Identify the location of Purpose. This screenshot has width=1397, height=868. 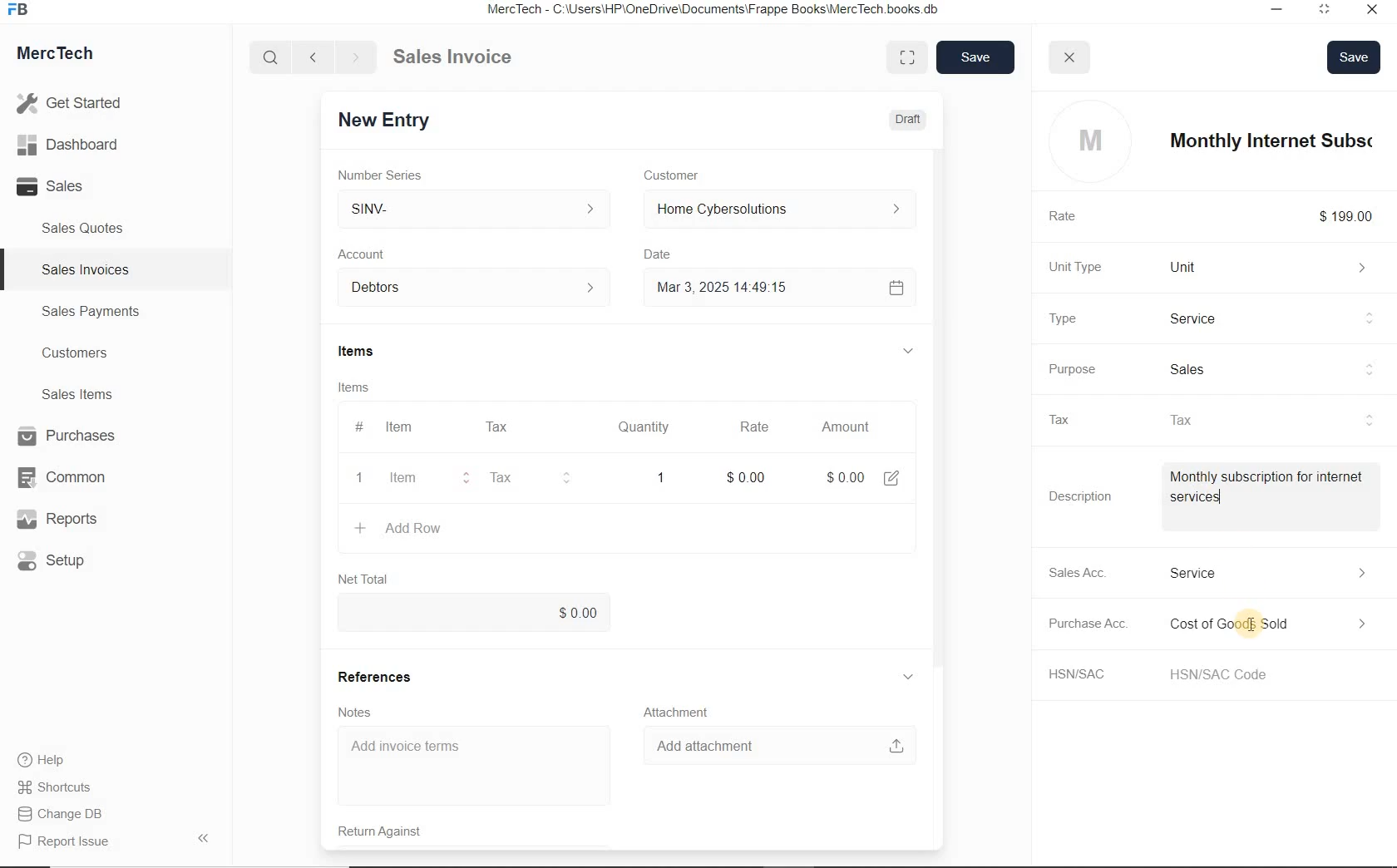
(1067, 369).